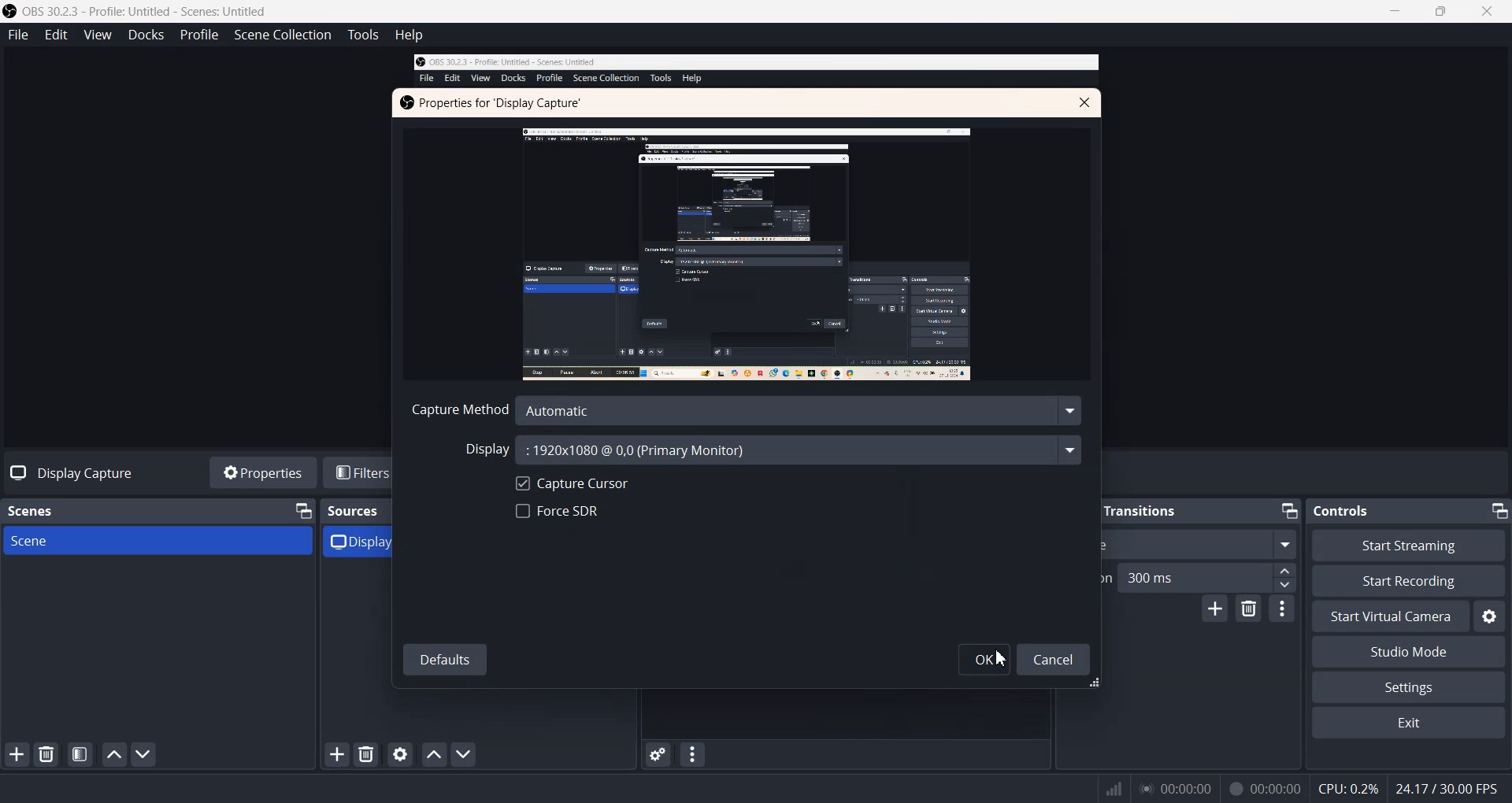  What do you see at coordinates (1114, 792) in the screenshot?
I see `signal display ` at bounding box center [1114, 792].